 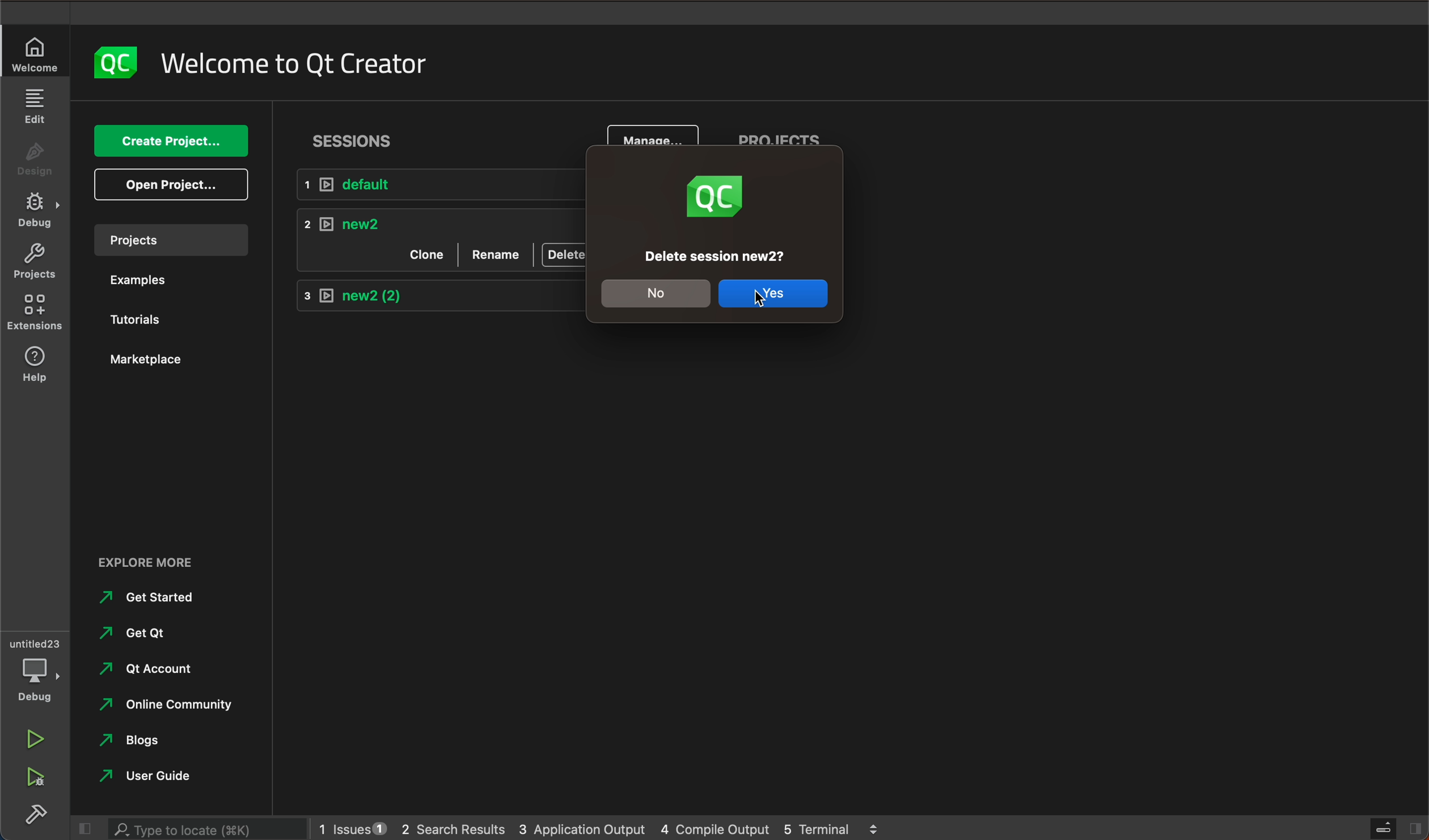 I want to click on run debug, so click(x=35, y=775).